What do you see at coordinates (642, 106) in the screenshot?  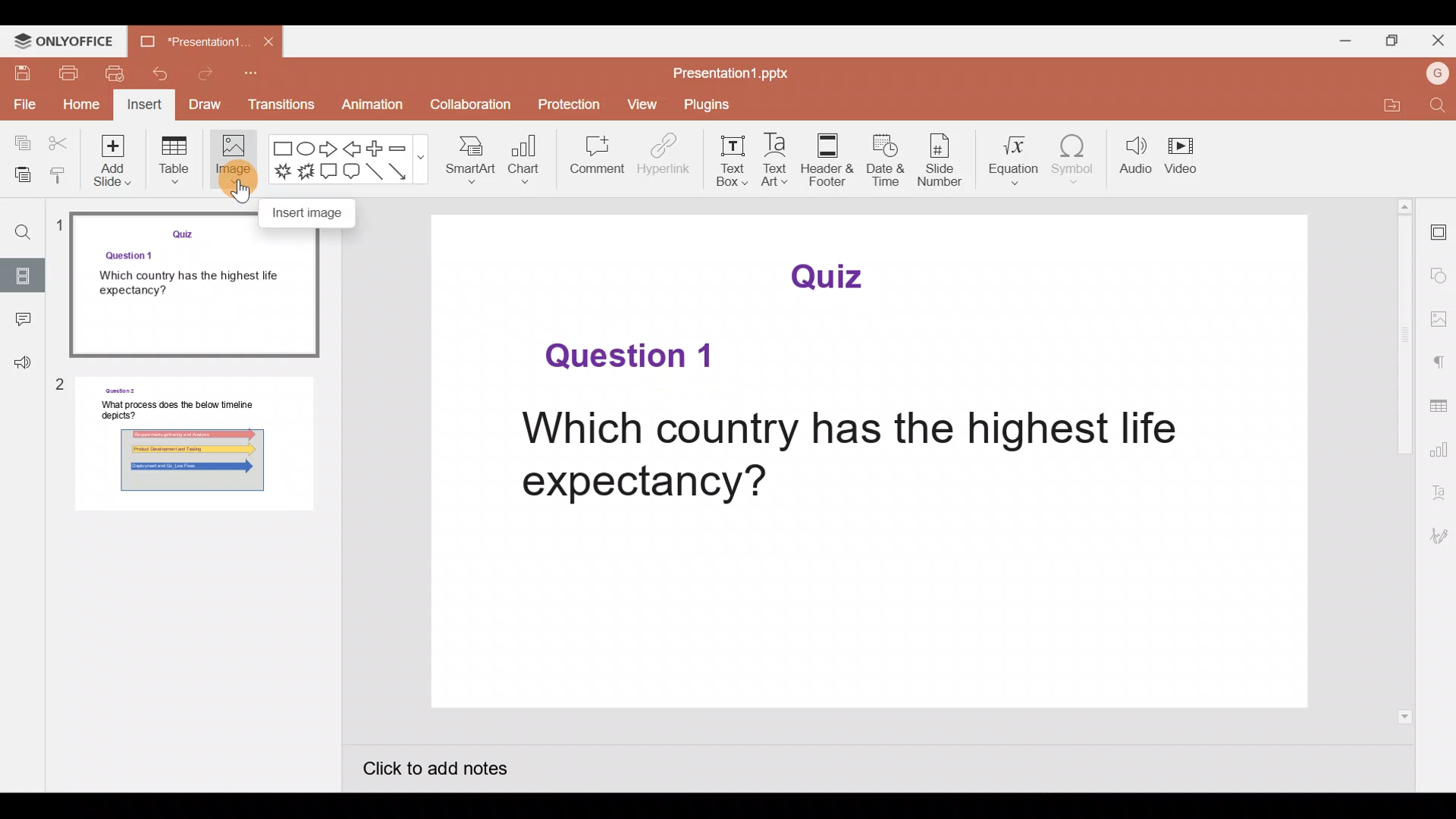 I see `View` at bounding box center [642, 106].